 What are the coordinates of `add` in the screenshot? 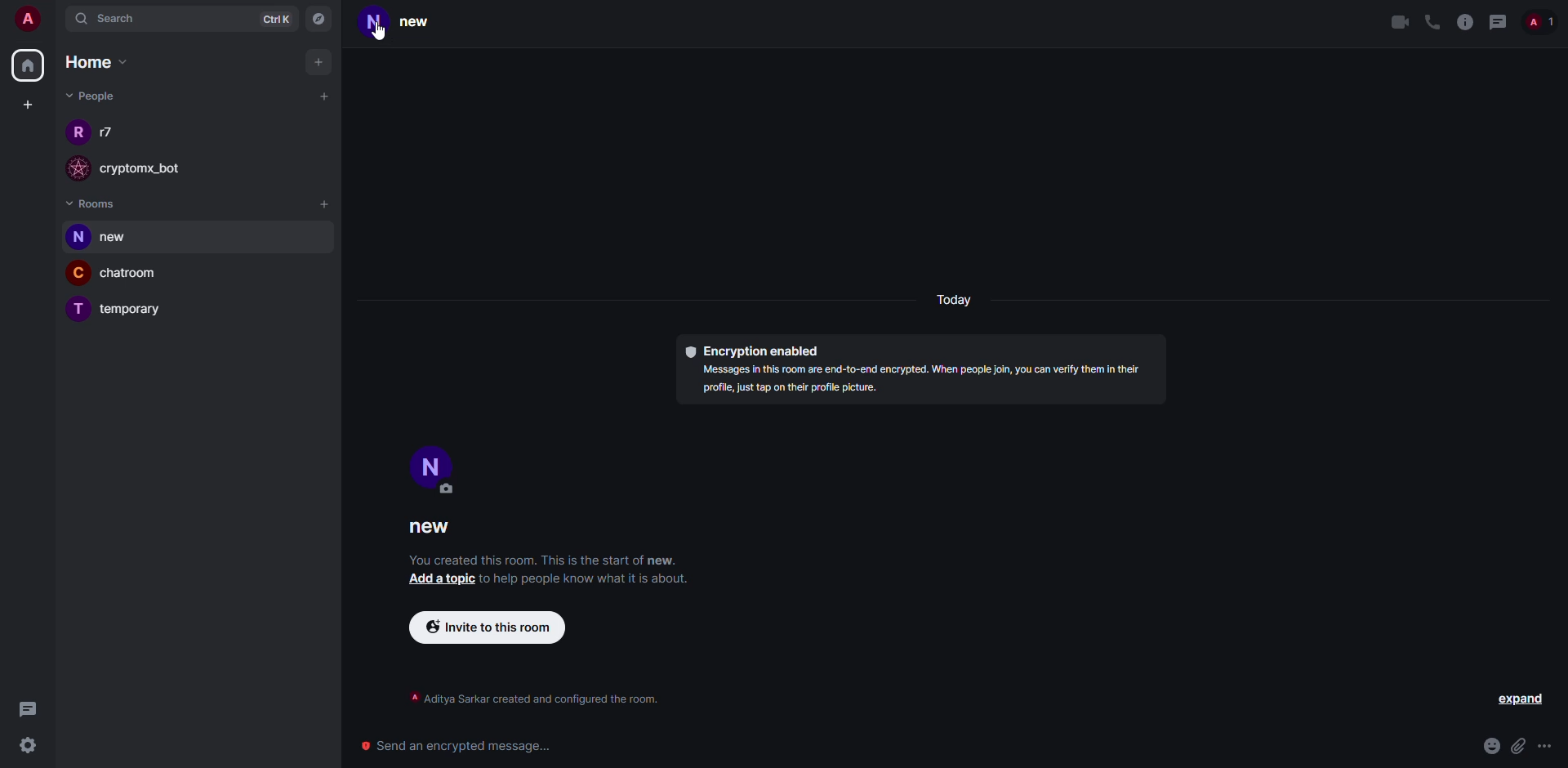 It's located at (326, 205).